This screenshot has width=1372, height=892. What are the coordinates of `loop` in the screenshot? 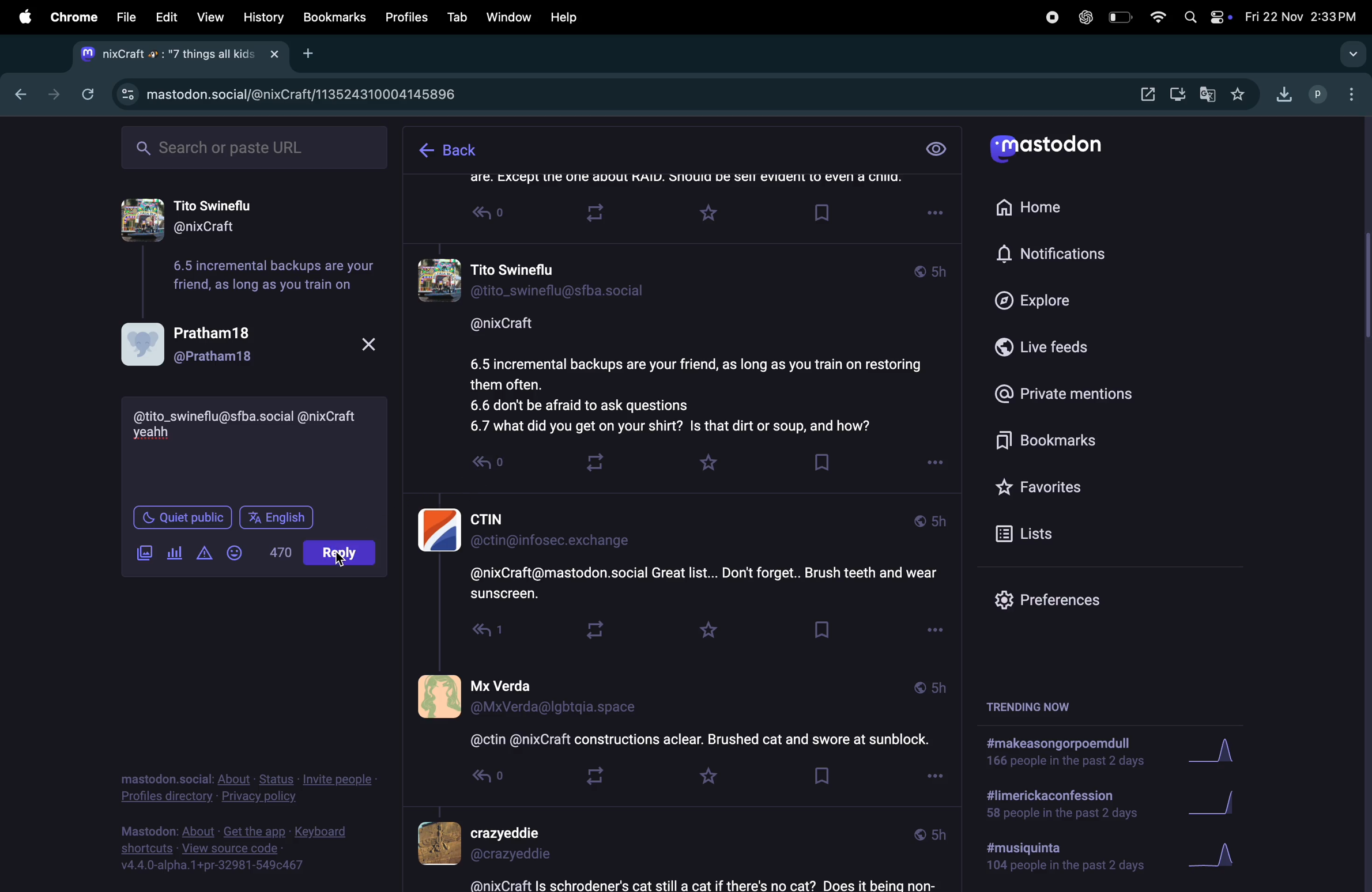 It's located at (591, 776).